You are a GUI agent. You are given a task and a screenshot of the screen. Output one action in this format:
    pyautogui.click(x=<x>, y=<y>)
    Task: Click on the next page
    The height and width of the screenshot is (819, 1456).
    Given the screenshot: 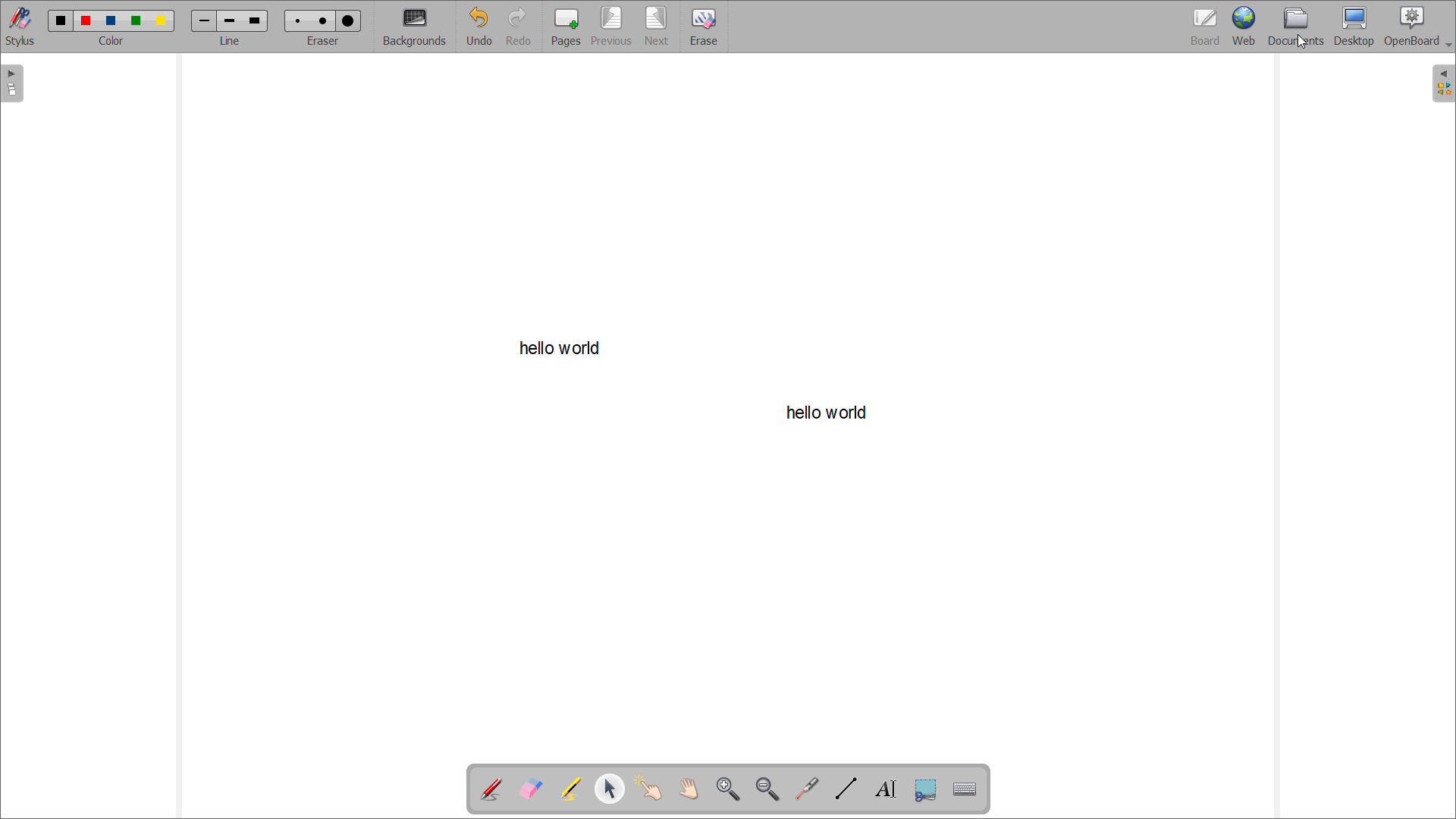 What is the action you would take?
    pyautogui.click(x=657, y=26)
    